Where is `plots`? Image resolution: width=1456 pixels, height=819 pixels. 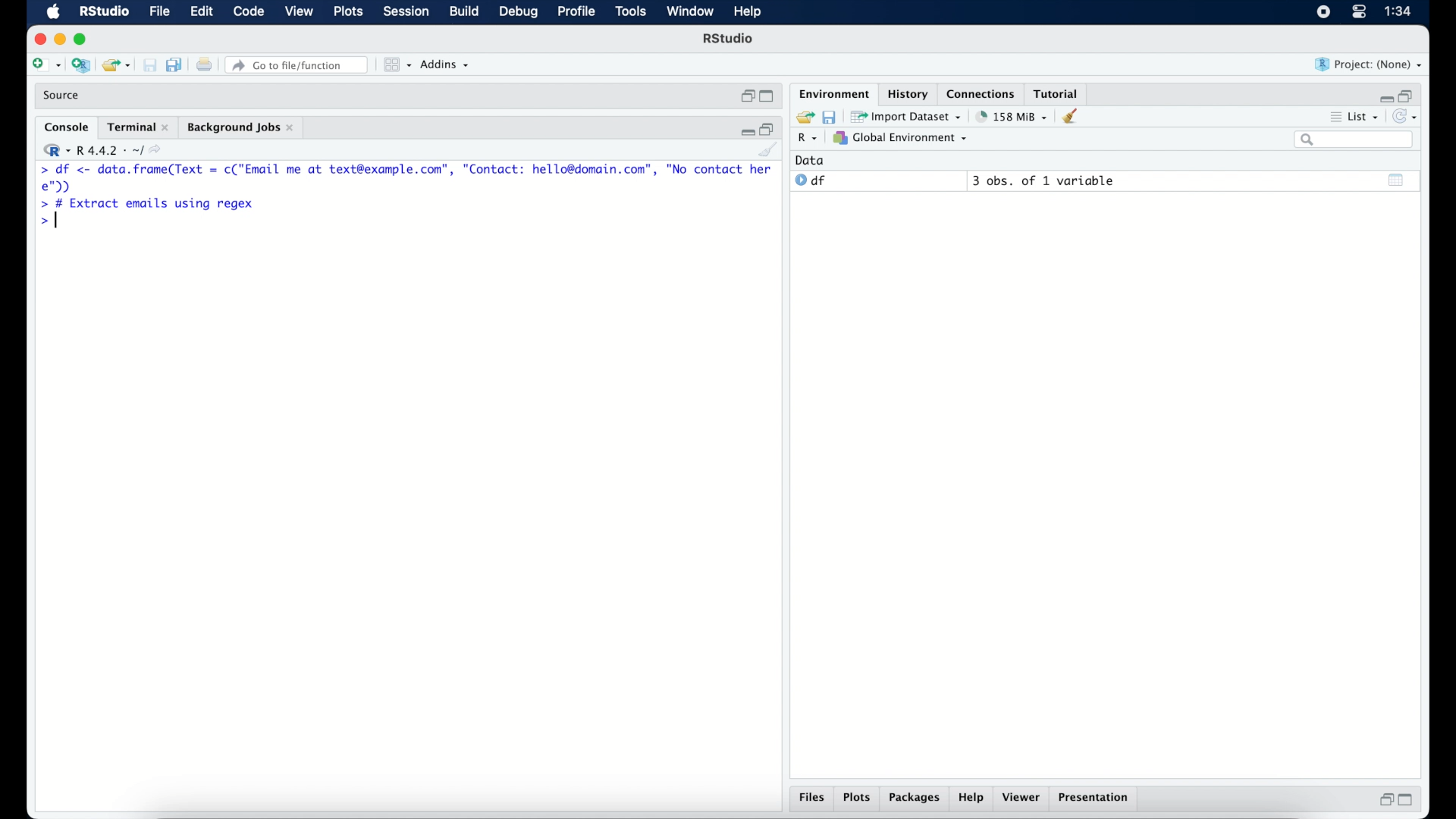 plots is located at coordinates (857, 797).